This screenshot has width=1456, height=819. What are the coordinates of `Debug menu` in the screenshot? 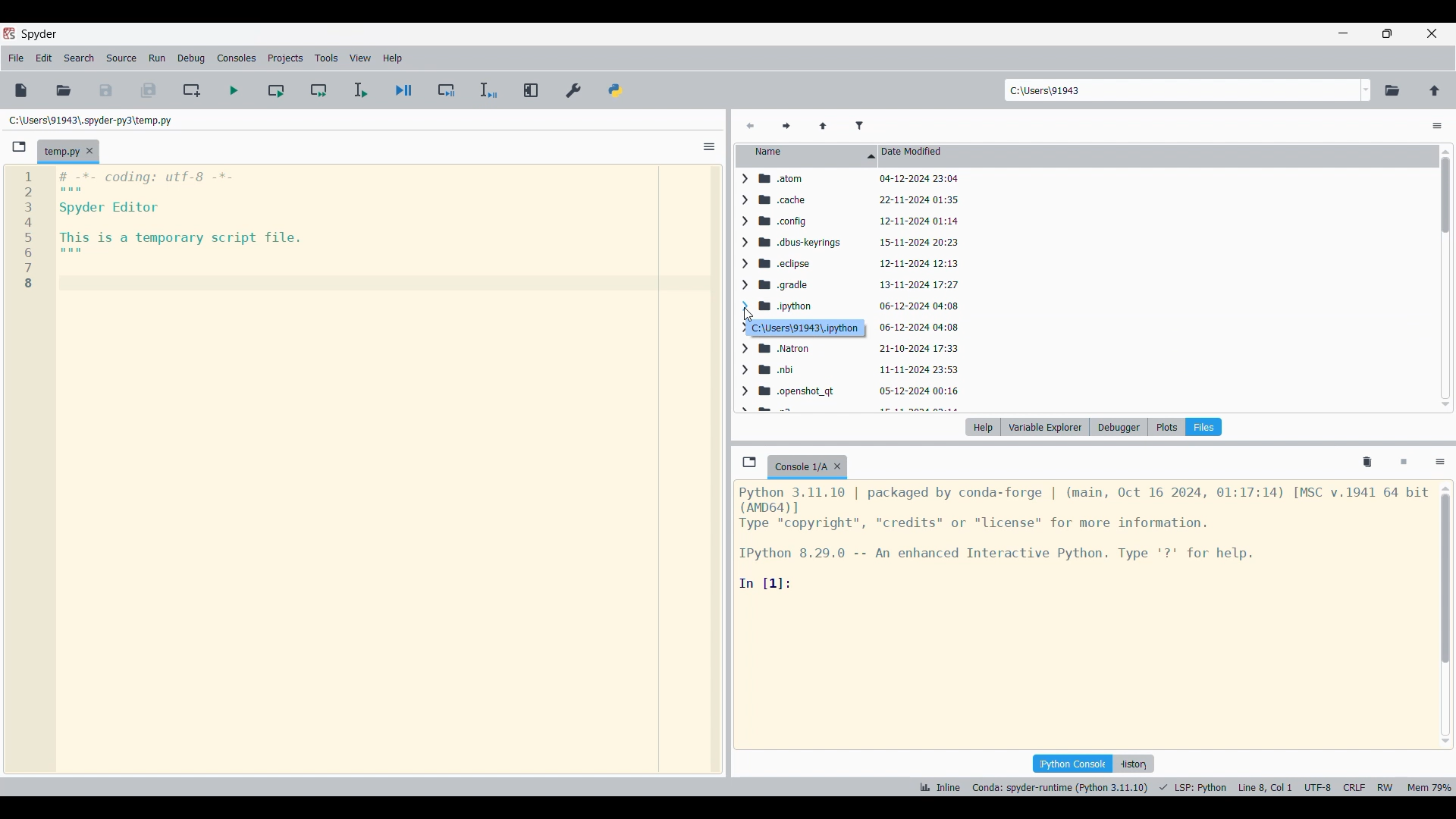 It's located at (192, 58).